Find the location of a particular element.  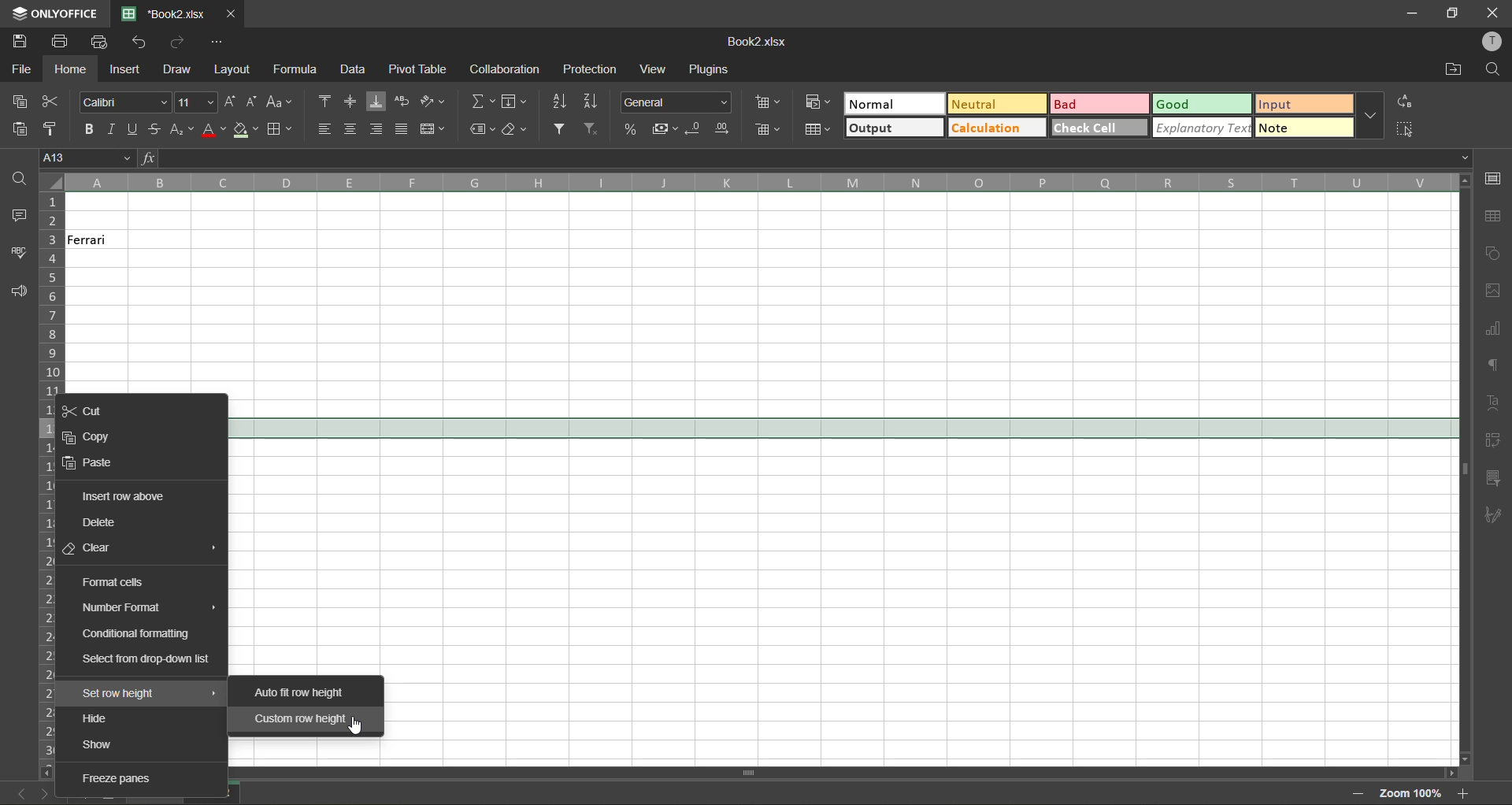

app name is located at coordinates (55, 13).